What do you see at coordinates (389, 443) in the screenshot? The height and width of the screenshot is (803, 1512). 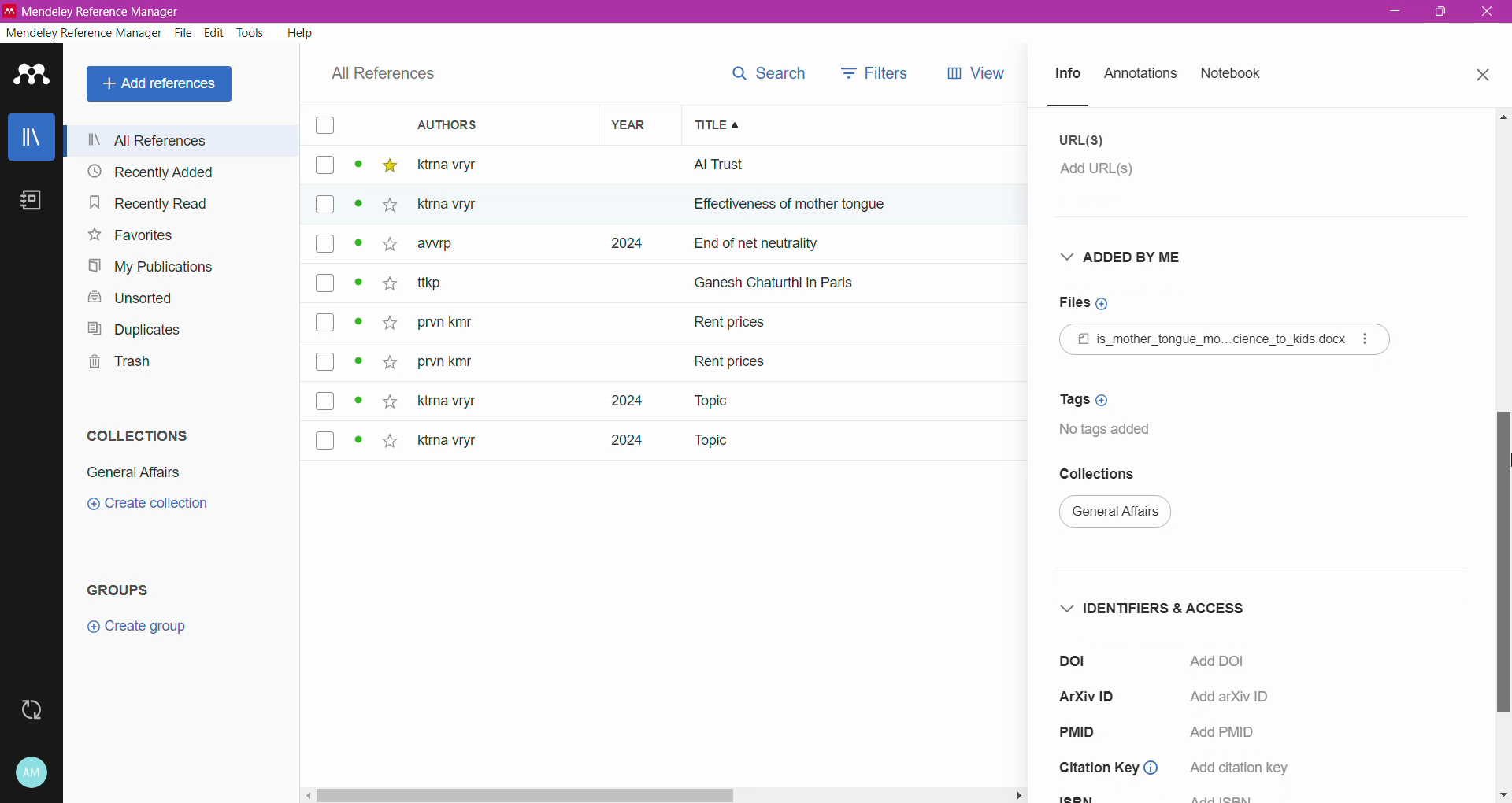 I see `star` at bounding box center [389, 443].